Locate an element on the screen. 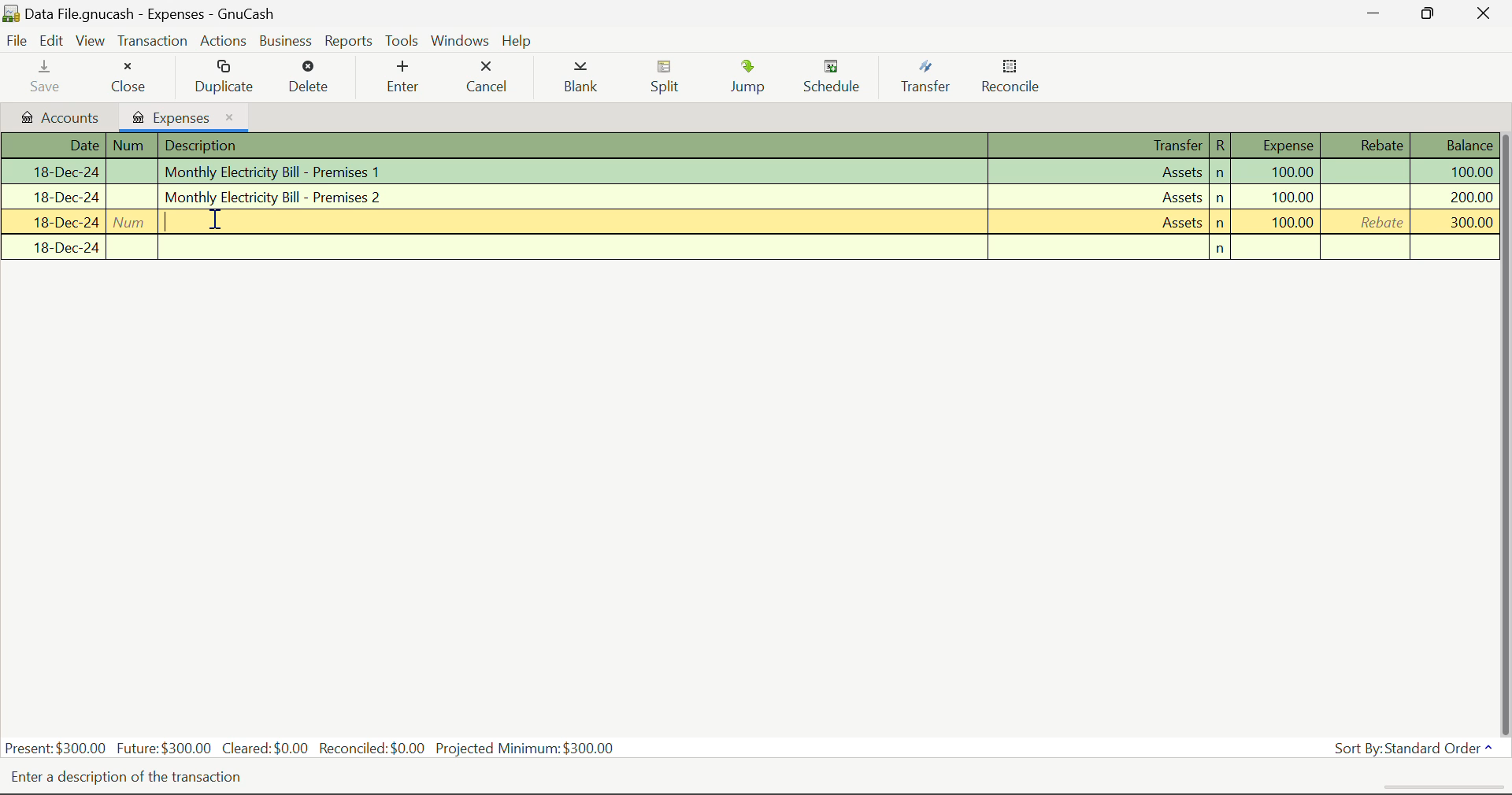  Delete is located at coordinates (313, 79).